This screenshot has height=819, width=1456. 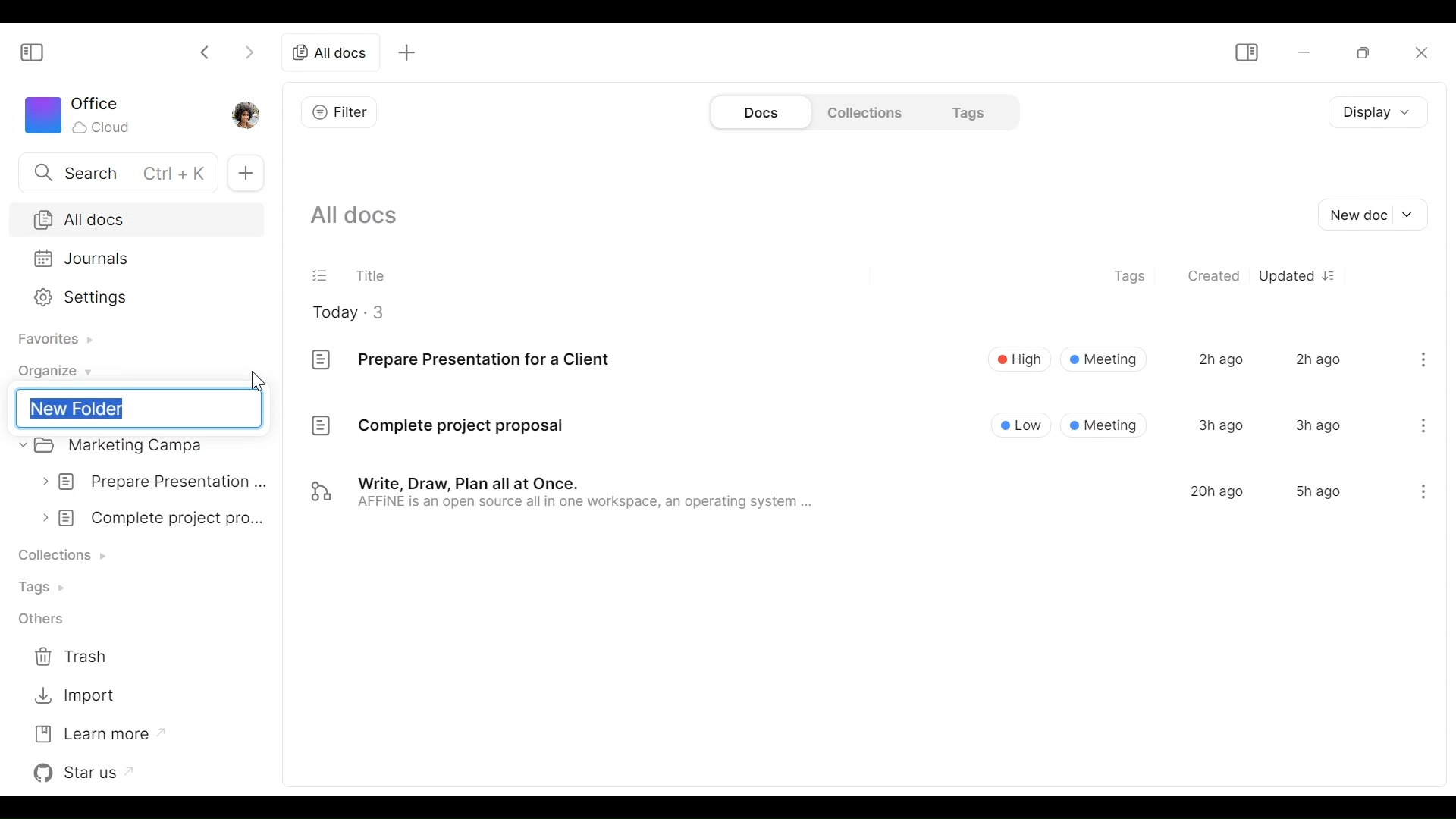 What do you see at coordinates (361, 217) in the screenshot?
I see `Show all documents` at bounding box center [361, 217].